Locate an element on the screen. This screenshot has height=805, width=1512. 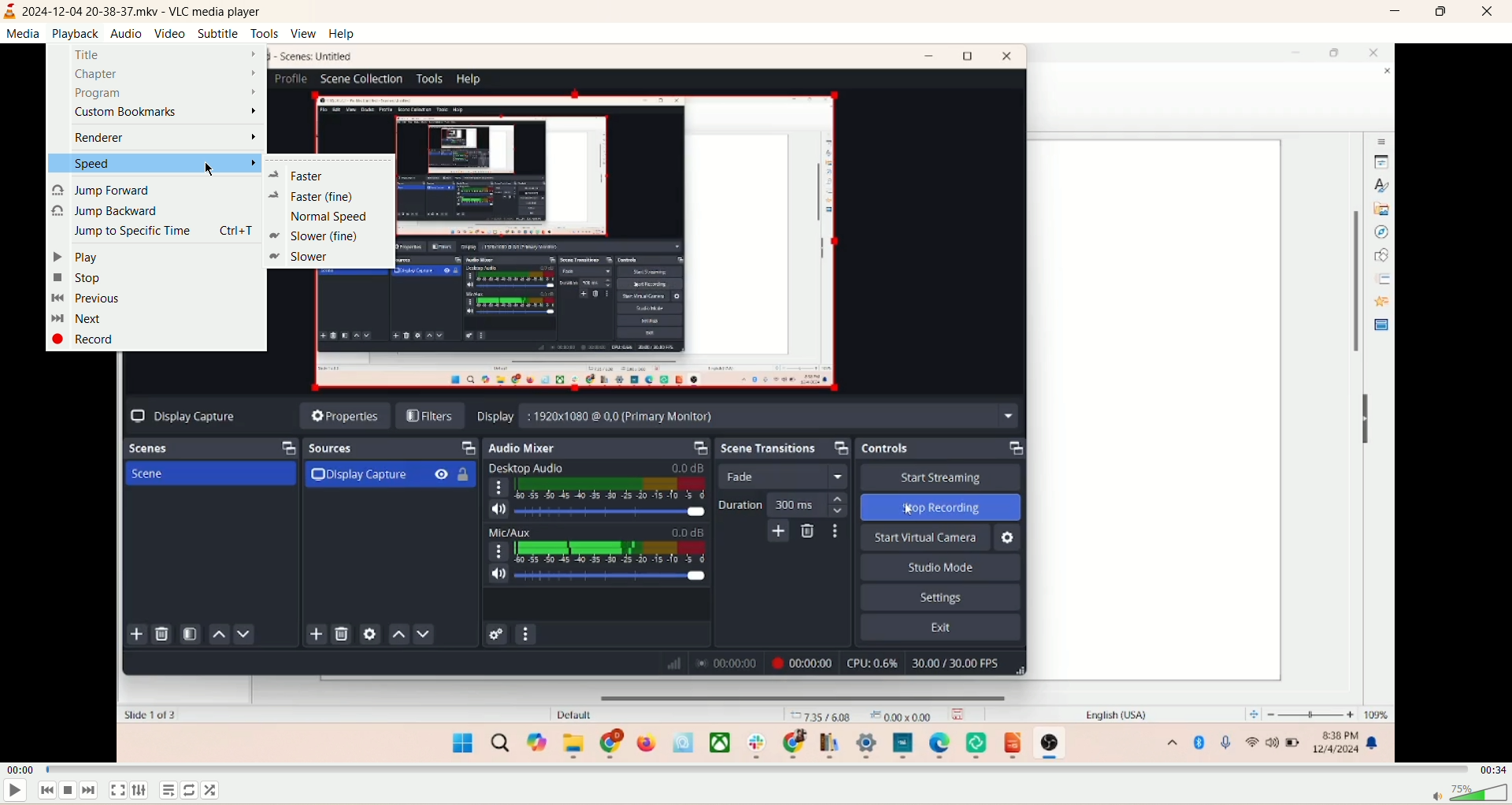
record is located at coordinates (82, 338).